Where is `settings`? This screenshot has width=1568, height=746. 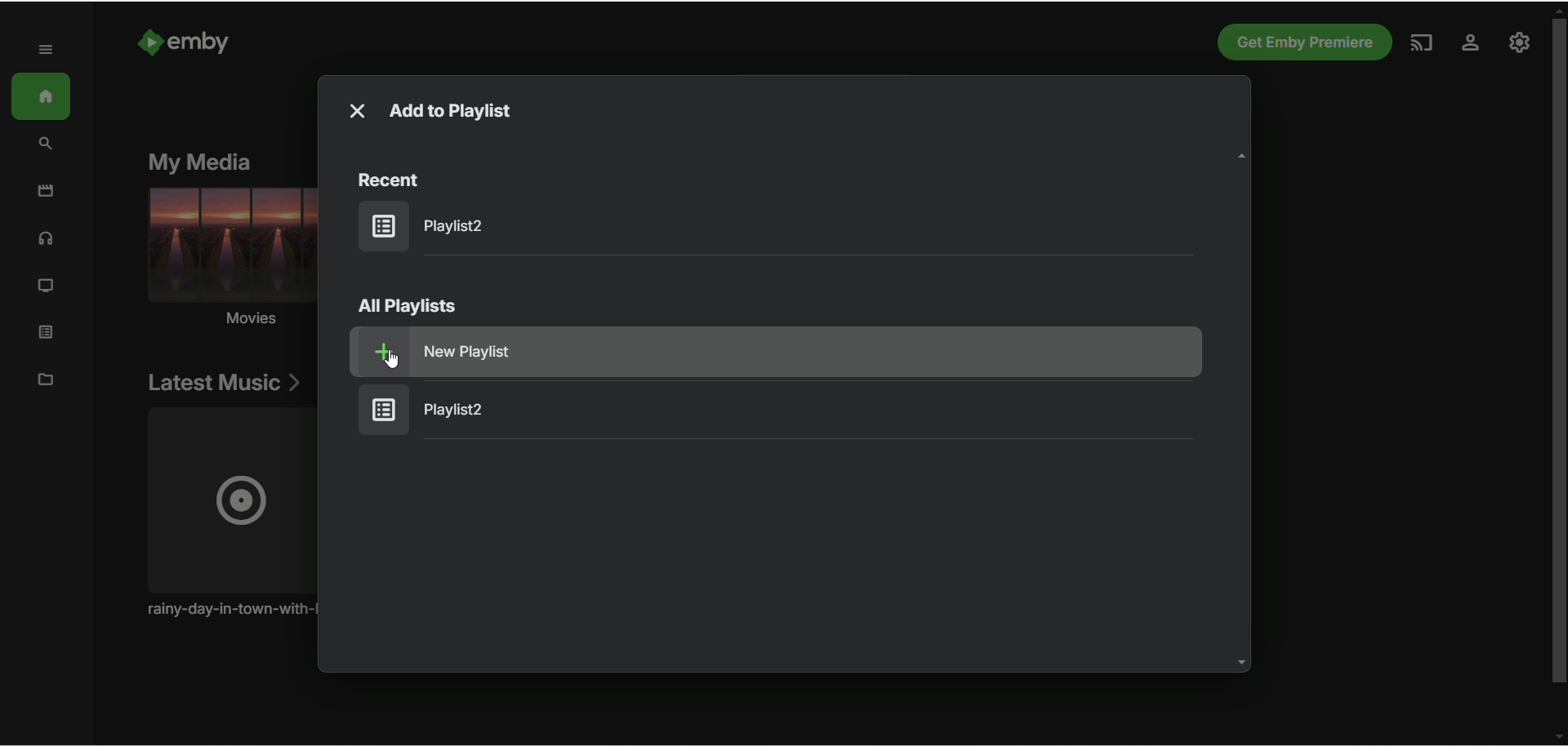 settings is located at coordinates (1469, 45).